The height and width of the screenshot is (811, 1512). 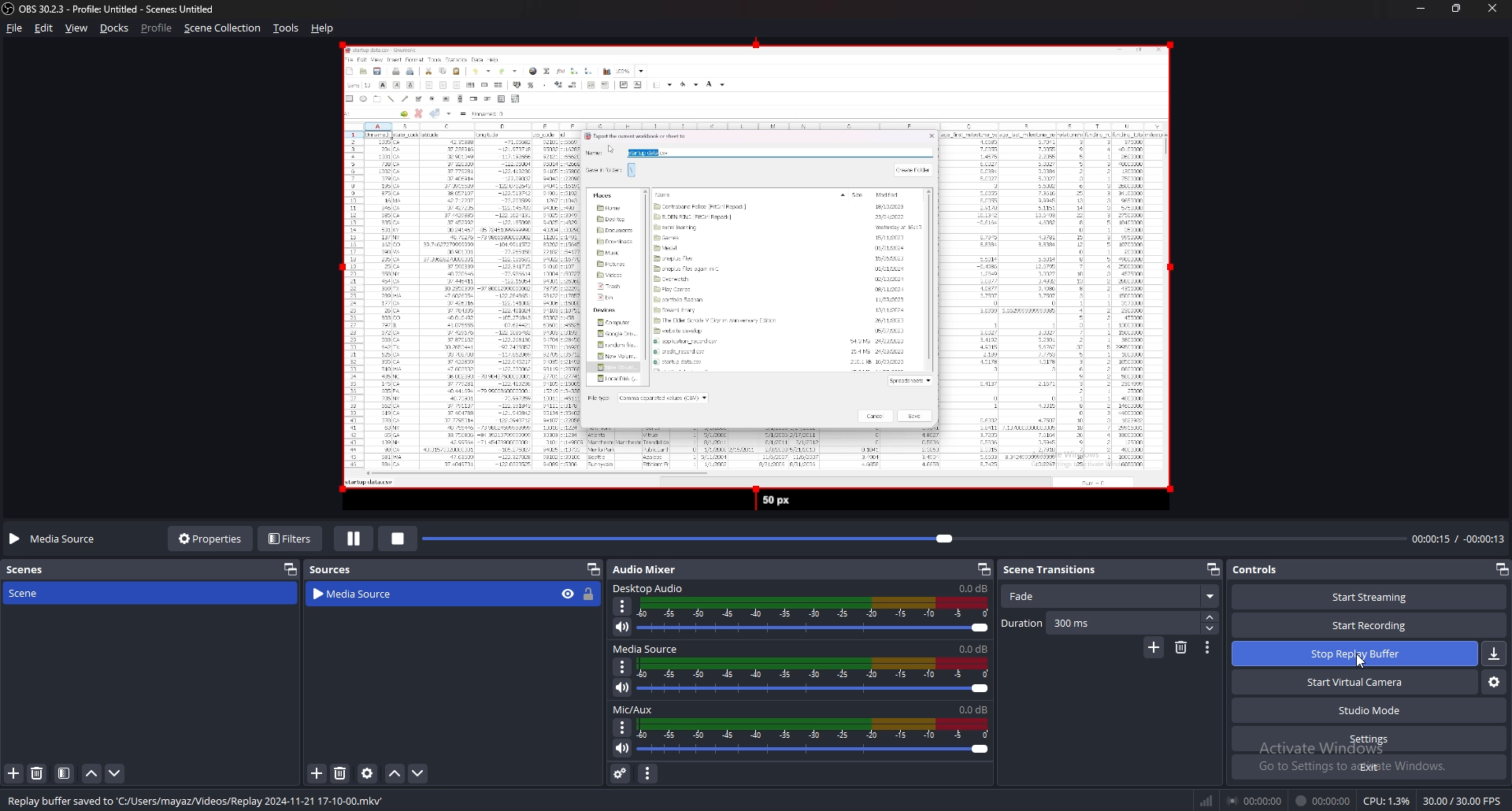 What do you see at coordinates (30, 593) in the screenshot?
I see `scene` at bounding box center [30, 593].